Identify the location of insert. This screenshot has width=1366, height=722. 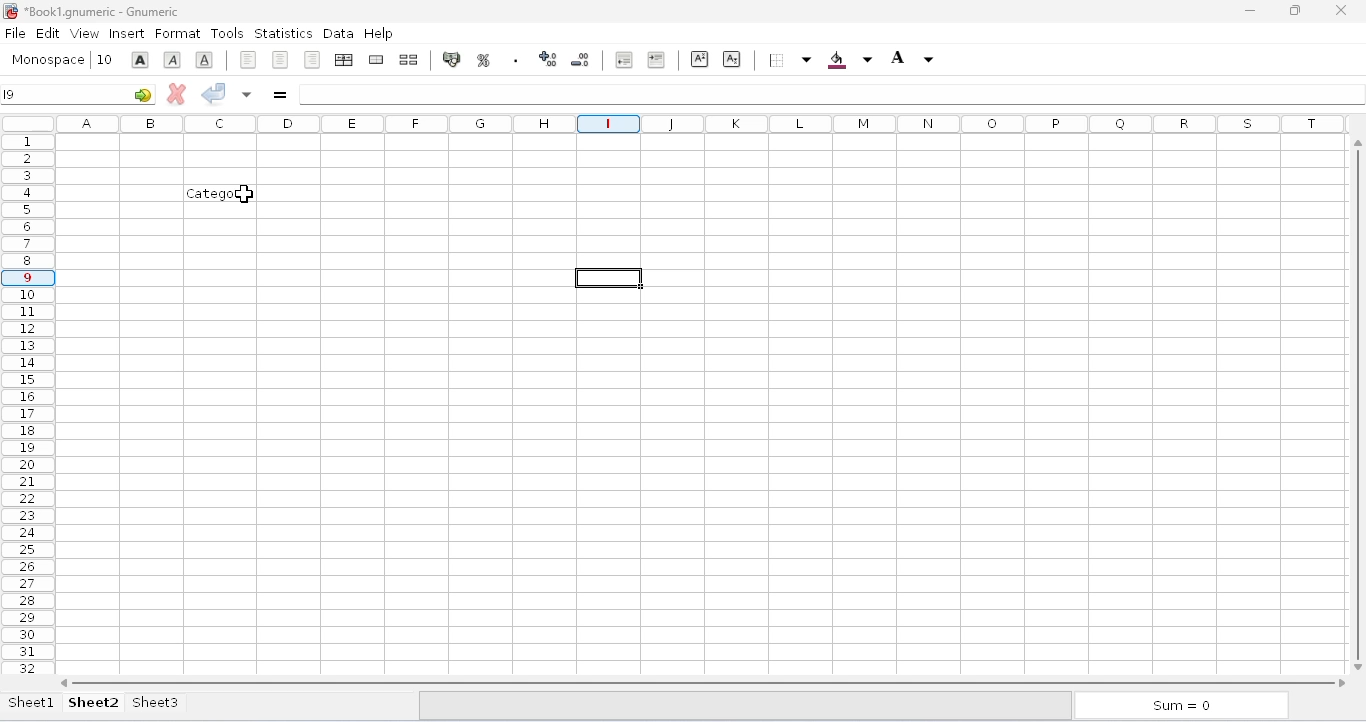
(127, 34).